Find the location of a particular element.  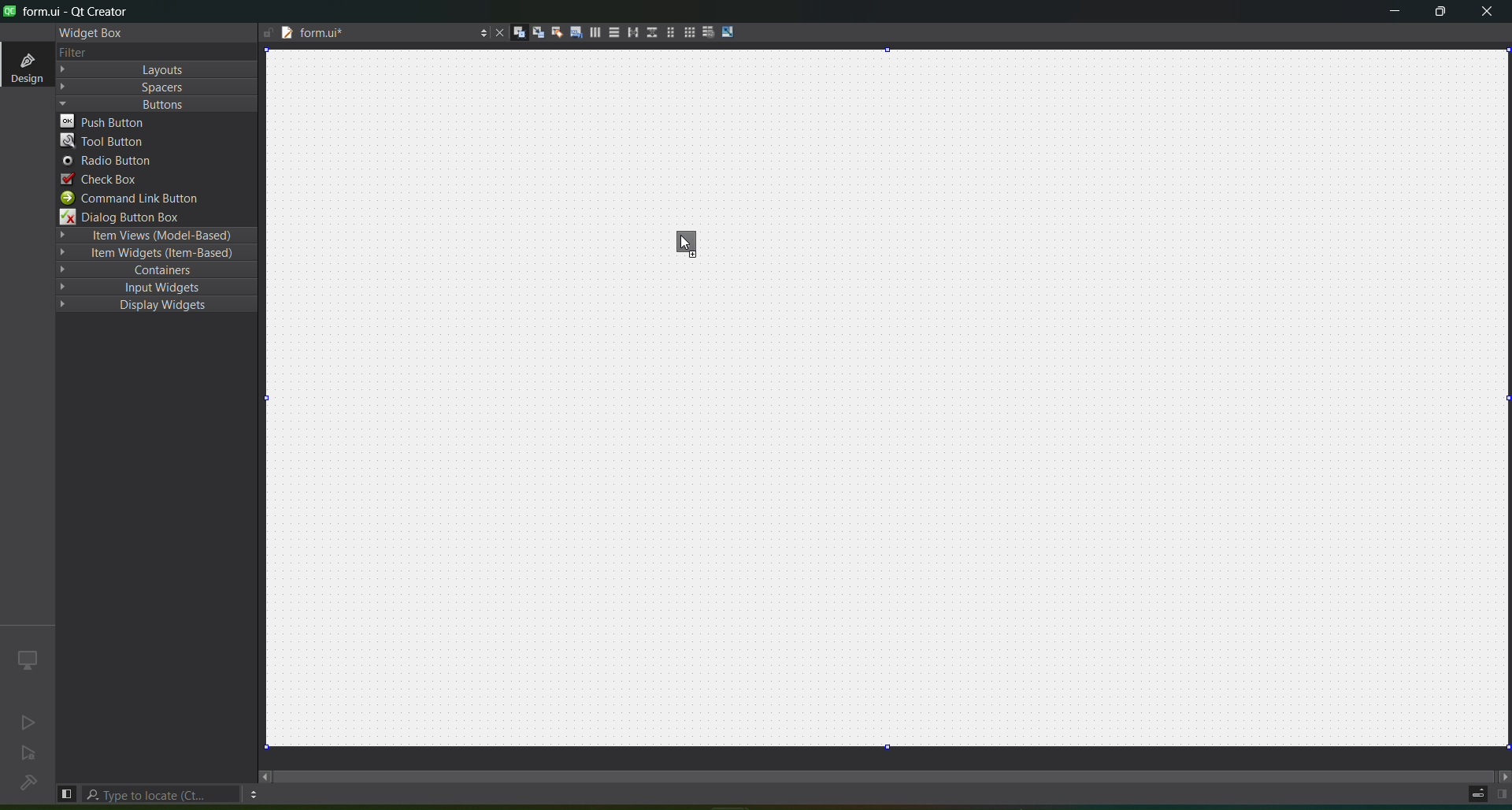

Display Widgets is located at coordinates (161, 310).